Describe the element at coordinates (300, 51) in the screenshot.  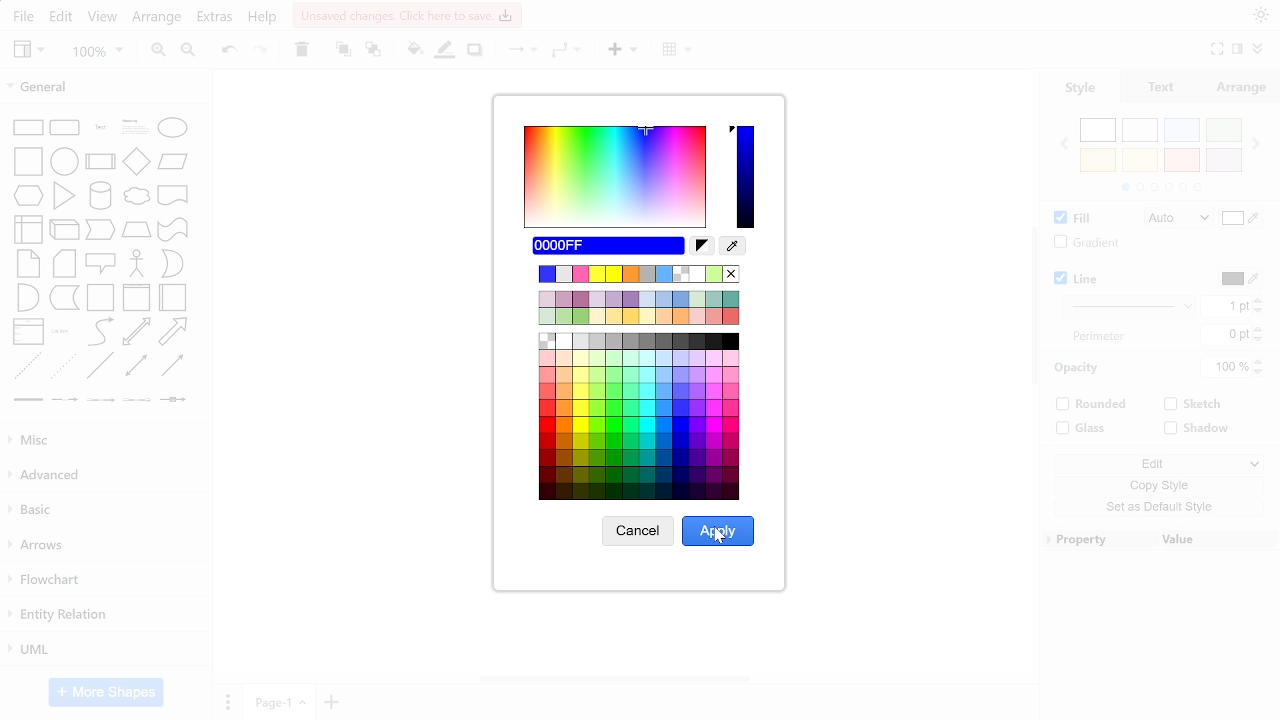
I see `delete` at that location.